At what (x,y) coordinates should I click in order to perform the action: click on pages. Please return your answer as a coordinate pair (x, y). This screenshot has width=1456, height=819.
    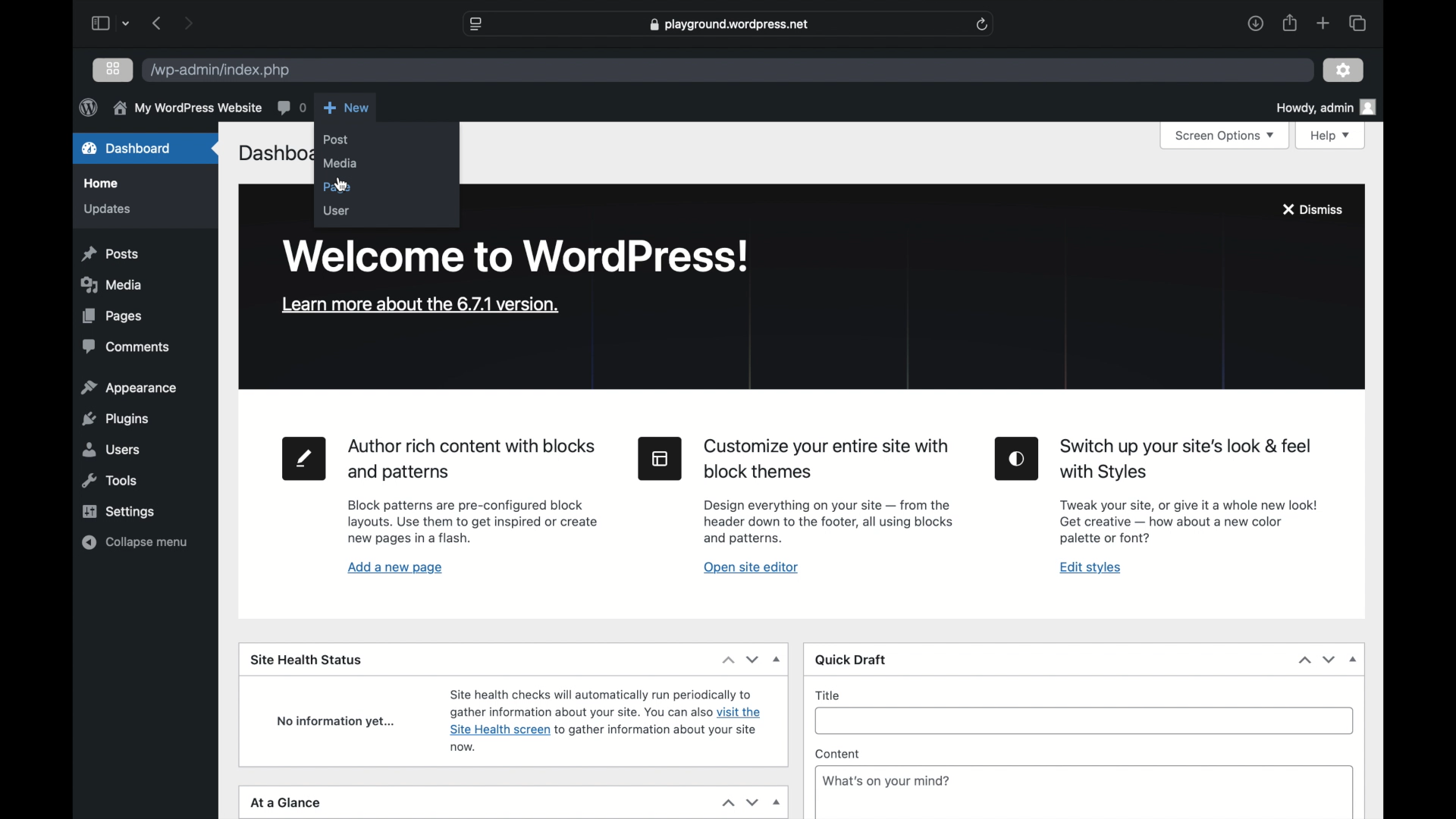
    Looking at the image, I should click on (111, 316).